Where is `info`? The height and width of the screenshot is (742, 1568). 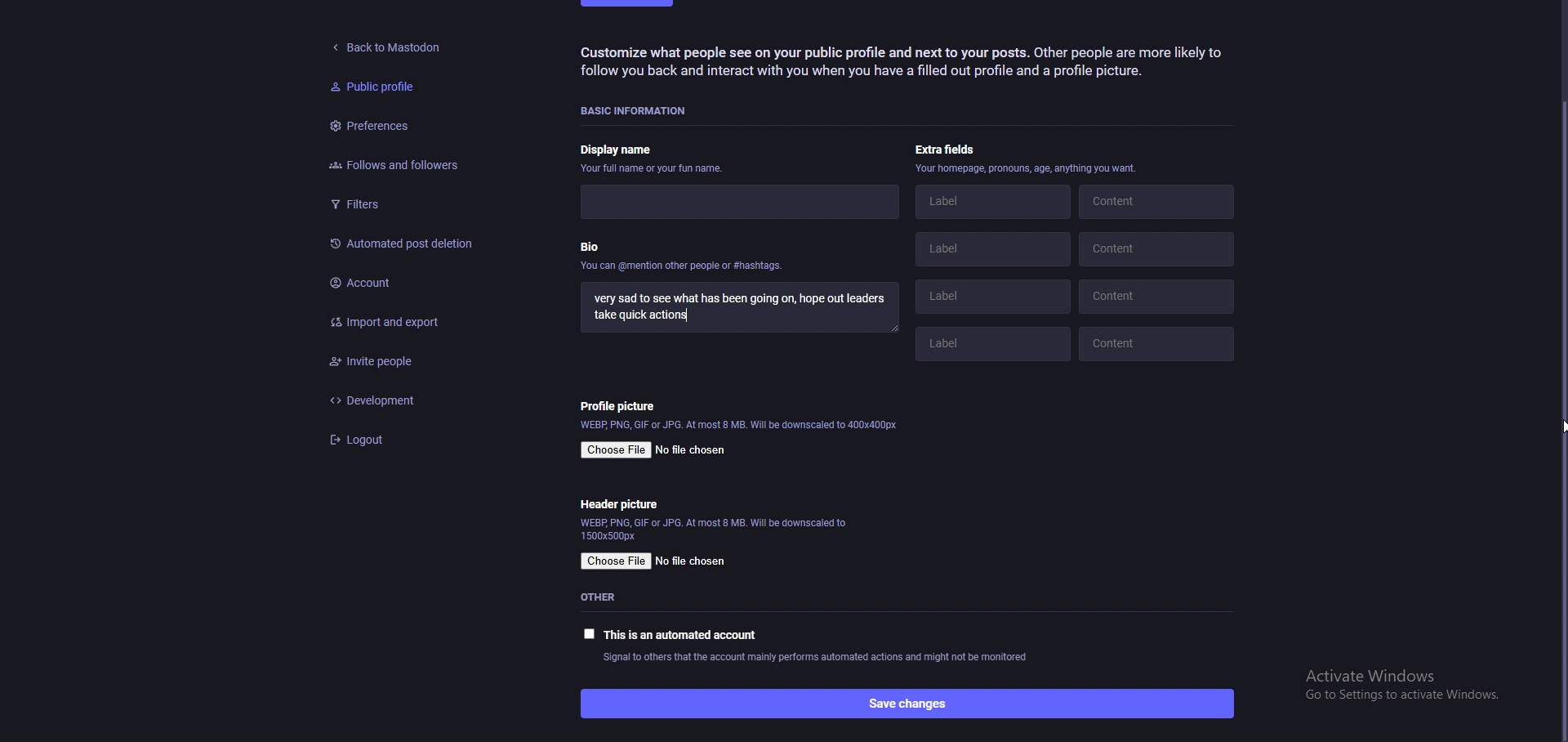
info is located at coordinates (713, 530).